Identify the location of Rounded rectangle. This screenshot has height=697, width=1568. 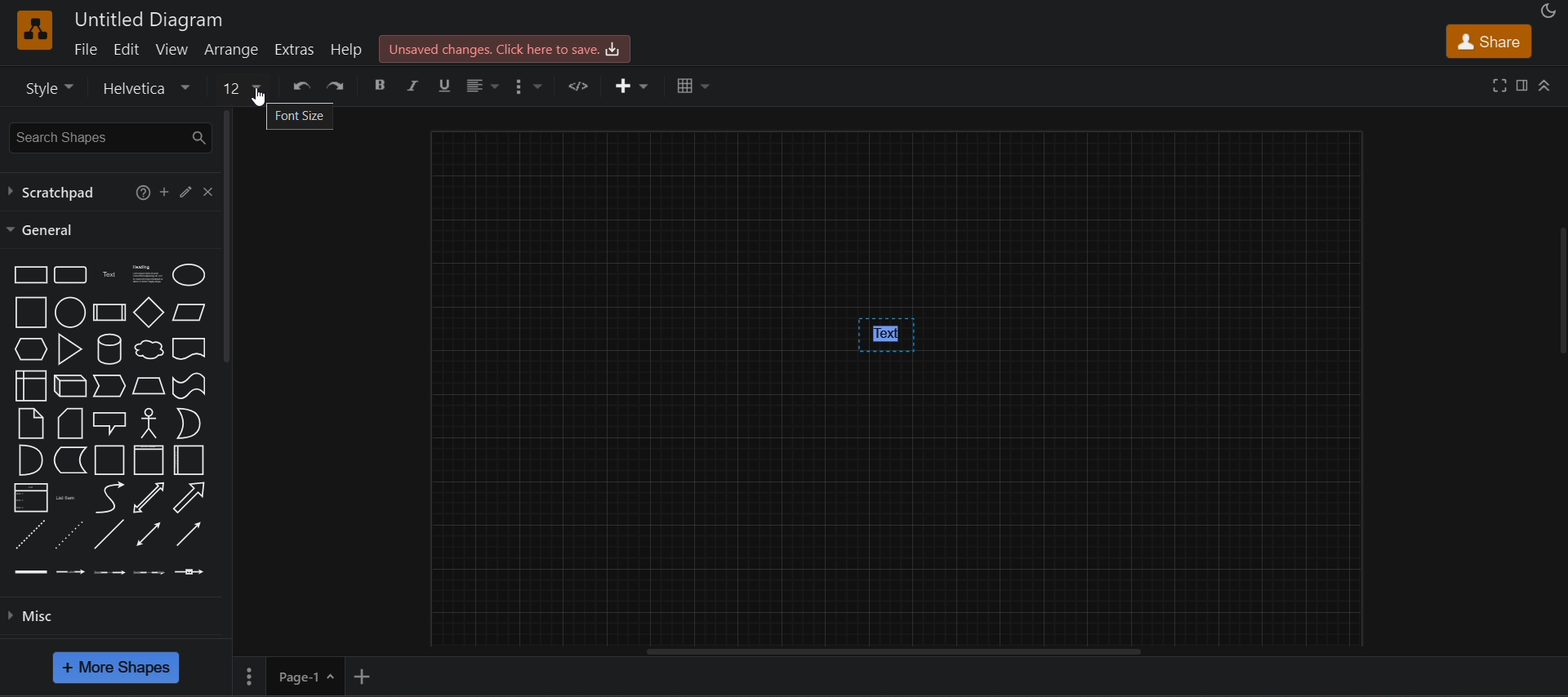
(70, 274).